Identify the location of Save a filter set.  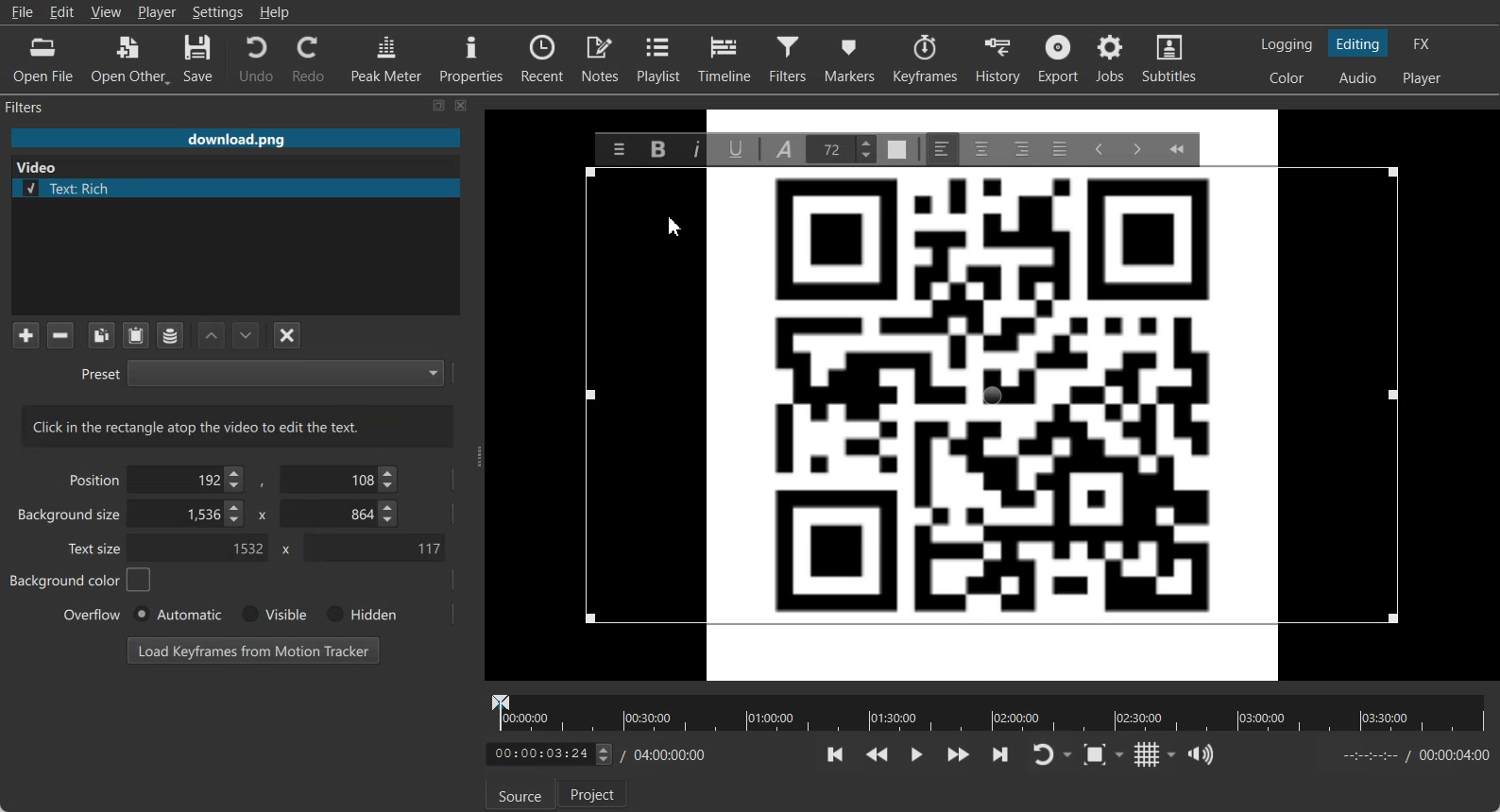
(169, 336).